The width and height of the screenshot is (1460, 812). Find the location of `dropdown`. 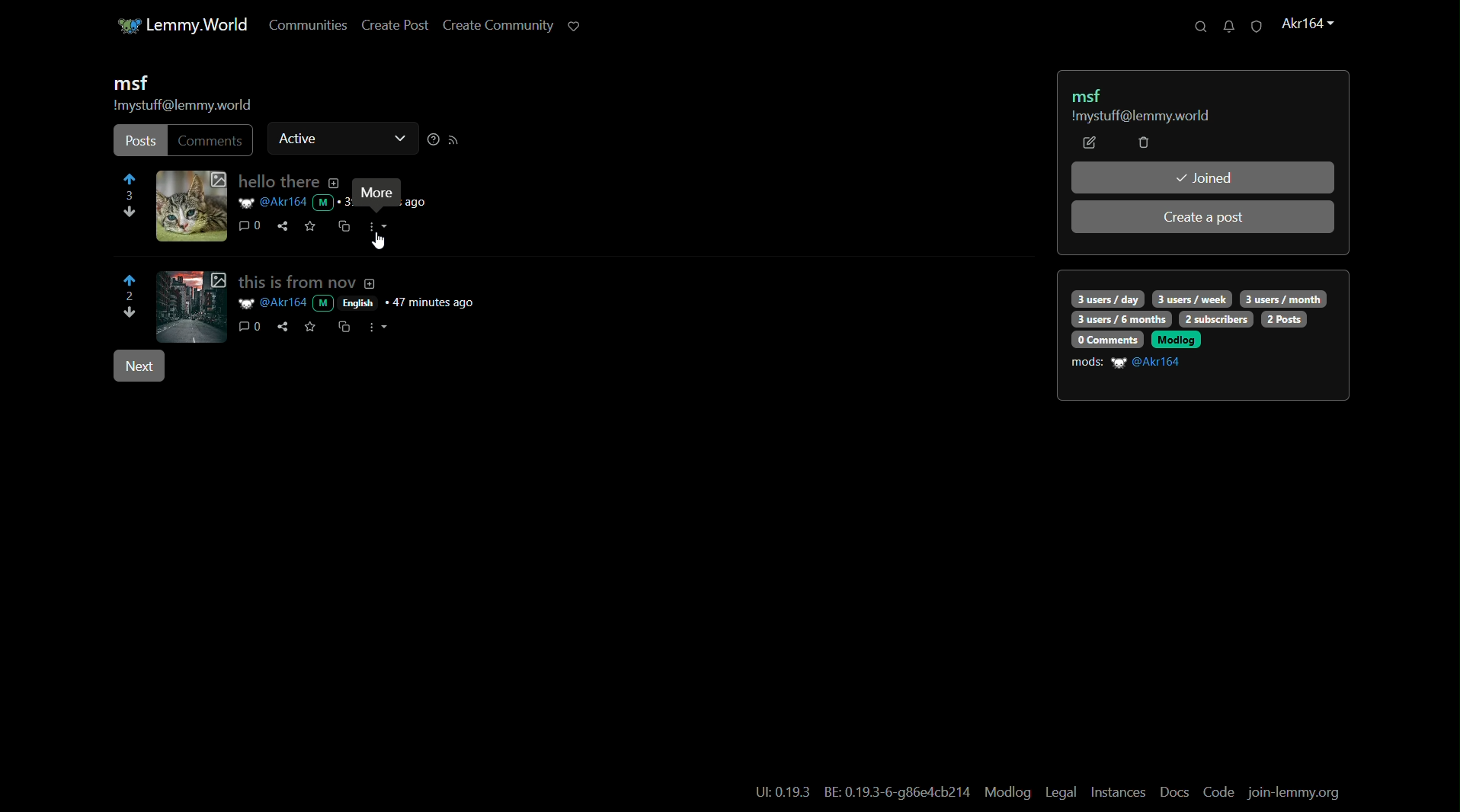

dropdown is located at coordinates (398, 140).